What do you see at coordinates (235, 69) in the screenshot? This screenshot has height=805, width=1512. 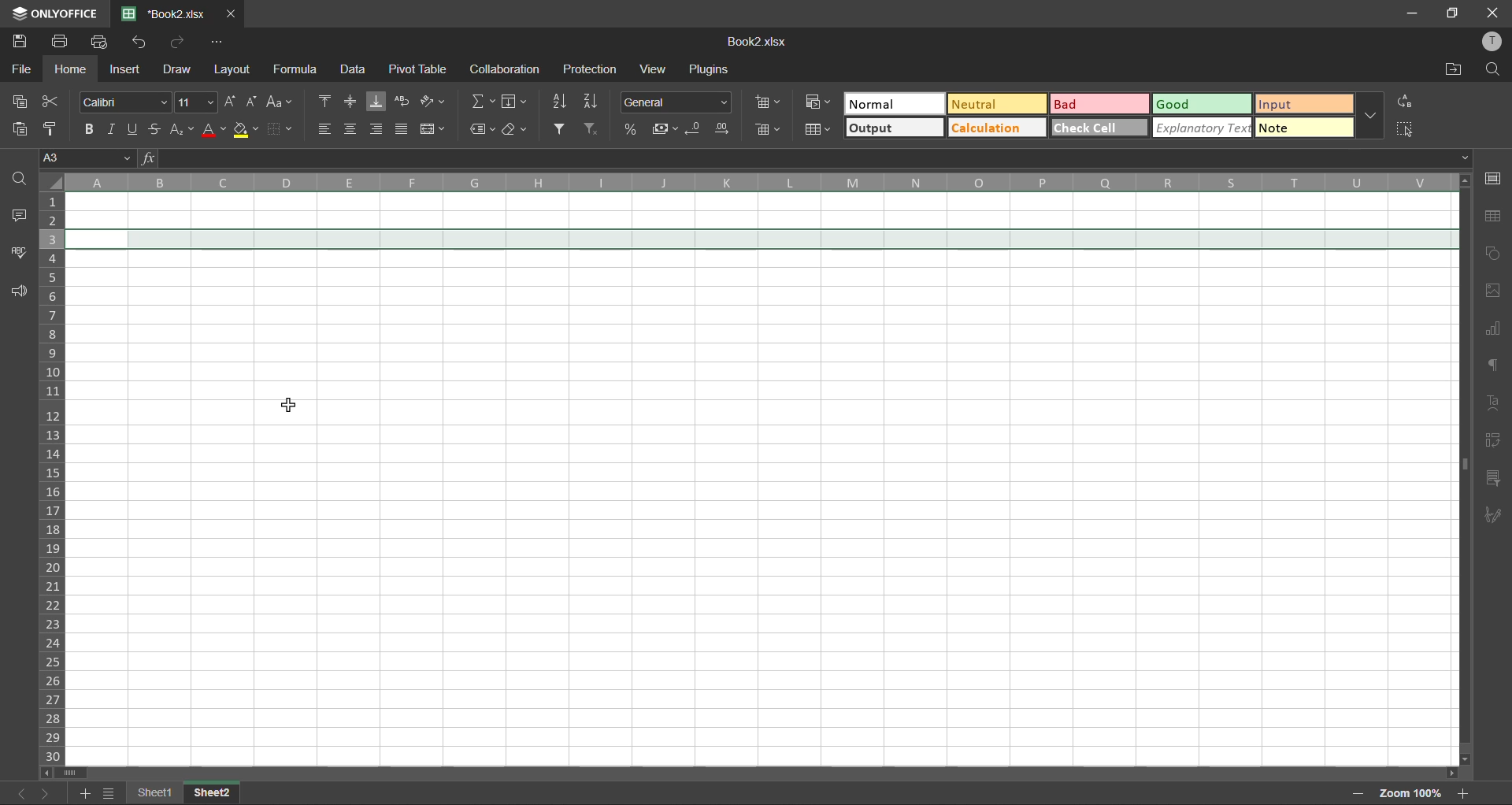 I see `layout` at bounding box center [235, 69].